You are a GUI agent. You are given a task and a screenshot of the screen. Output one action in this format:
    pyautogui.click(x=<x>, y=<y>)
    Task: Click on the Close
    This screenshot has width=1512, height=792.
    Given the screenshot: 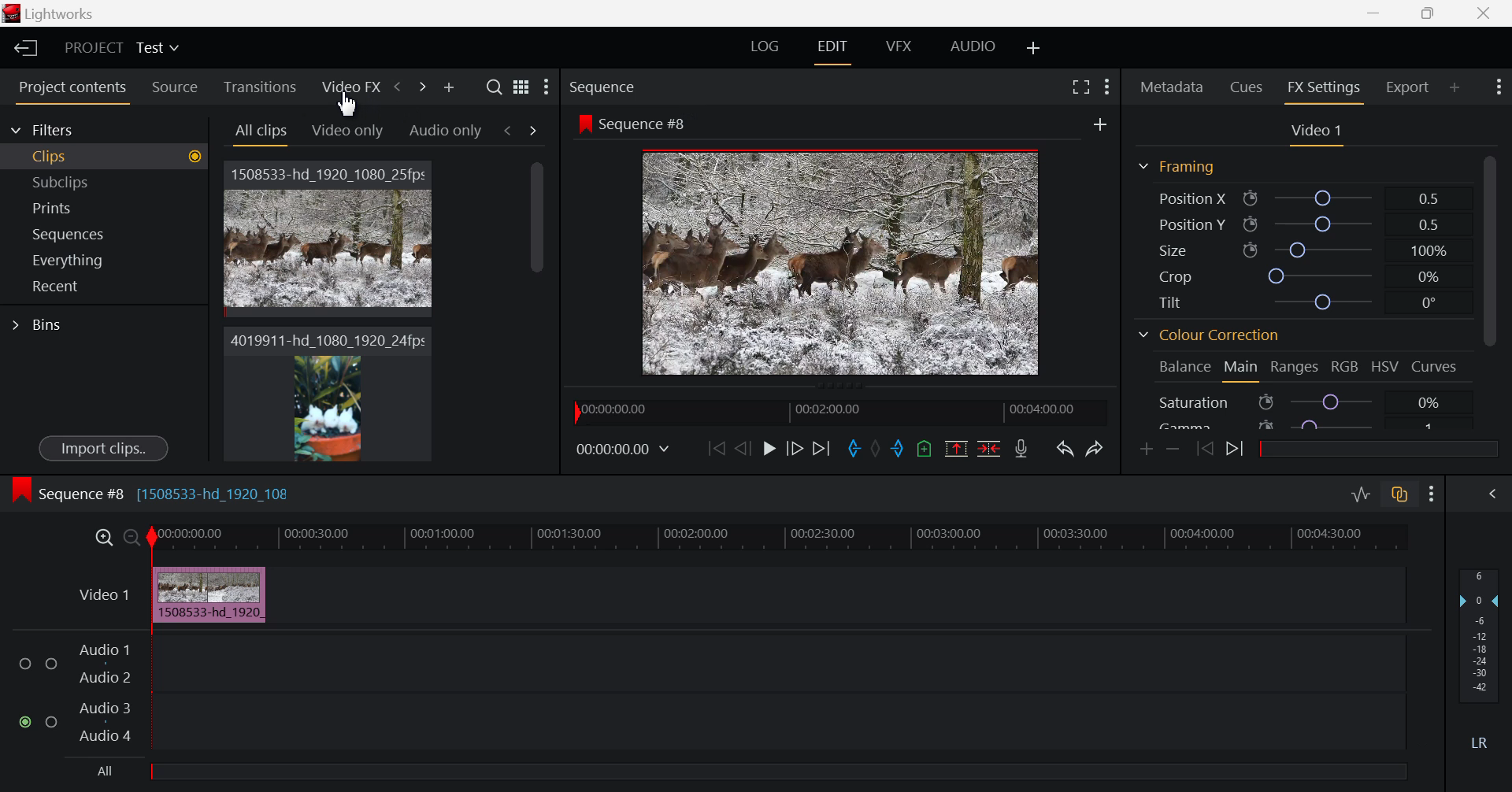 What is the action you would take?
    pyautogui.click(x=1483, y=13)
    